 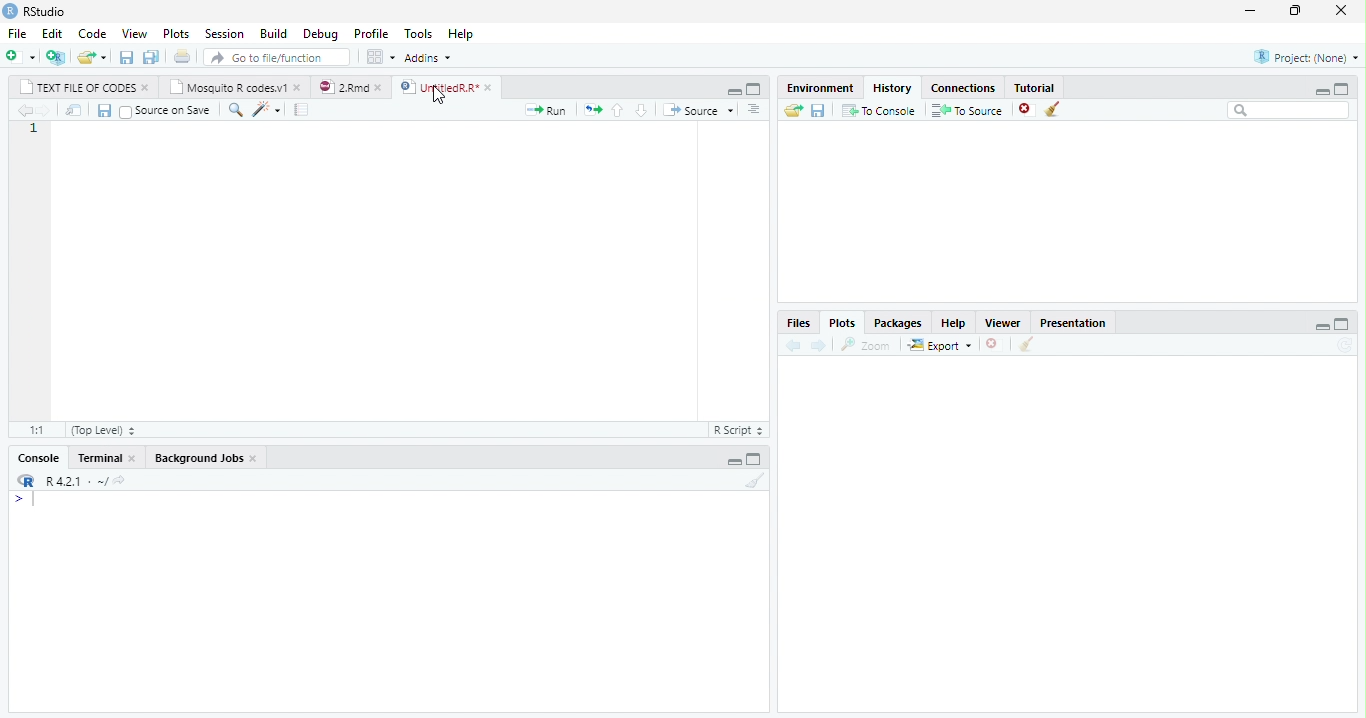 I want to click on tutorial, so click(x=1045, y=88).